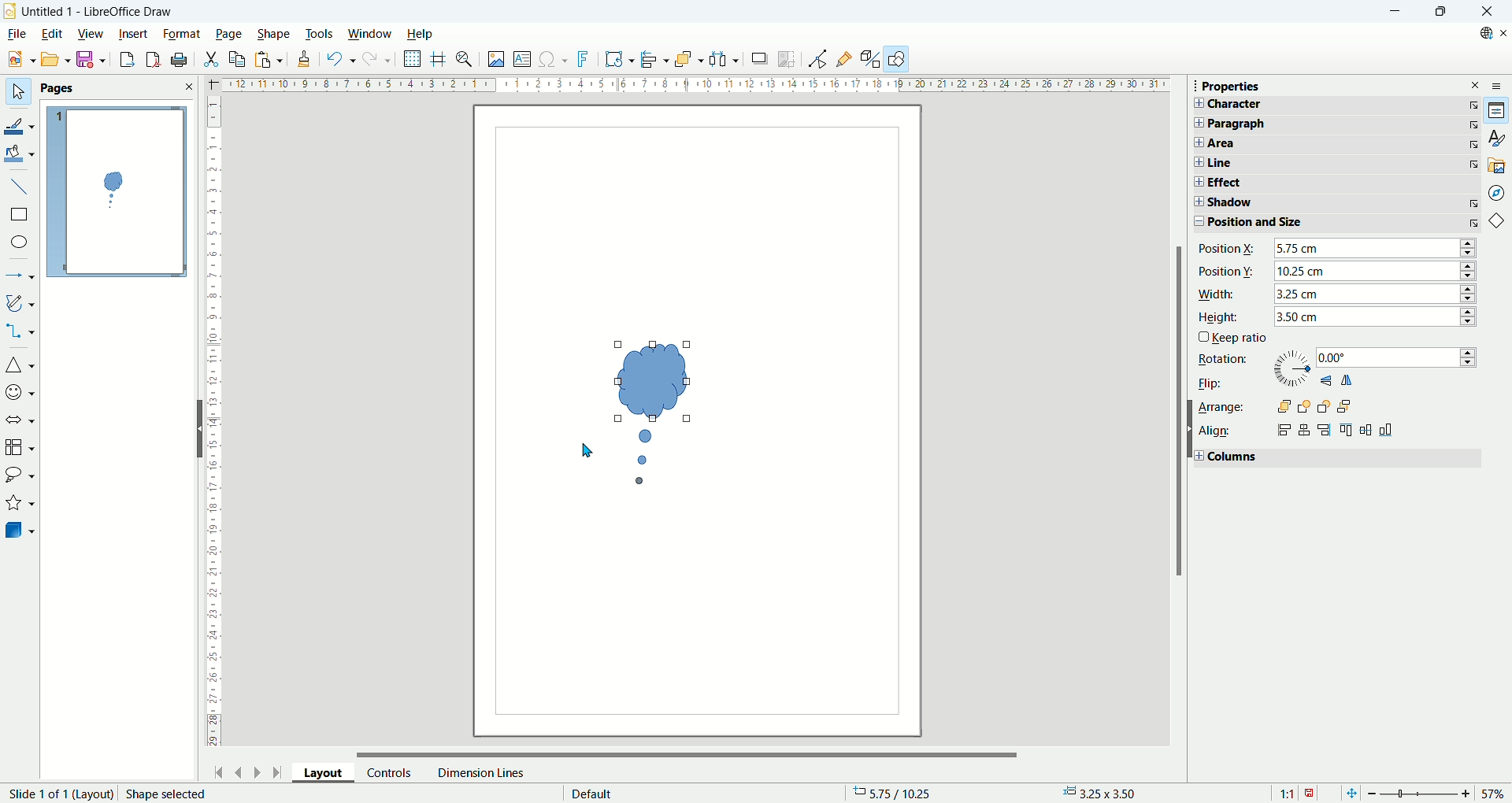 The image size is (1512, 803). Describe the element at coordinates (123, 59) in the screenshot. I see `export` at that location.